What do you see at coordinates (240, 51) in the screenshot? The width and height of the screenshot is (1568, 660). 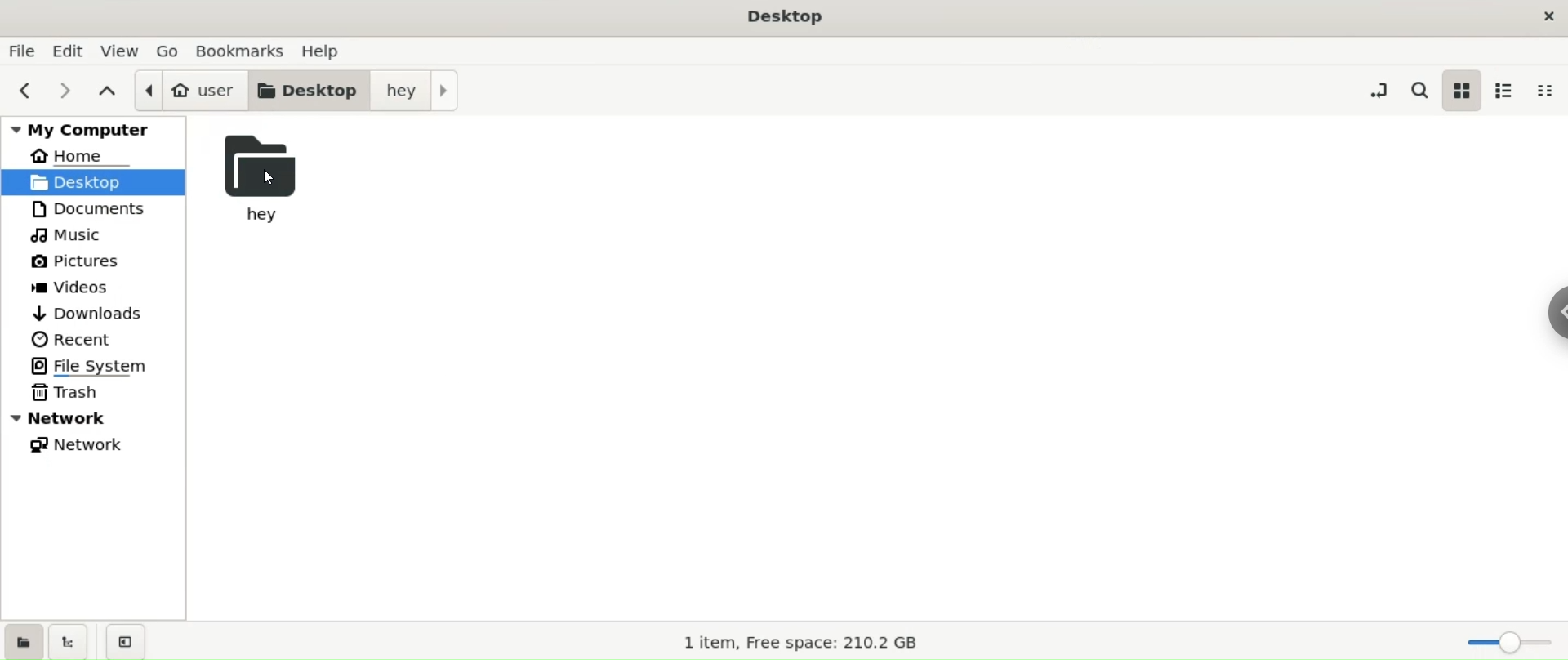 I see `bookmarks` at bounding box center [240, 51].